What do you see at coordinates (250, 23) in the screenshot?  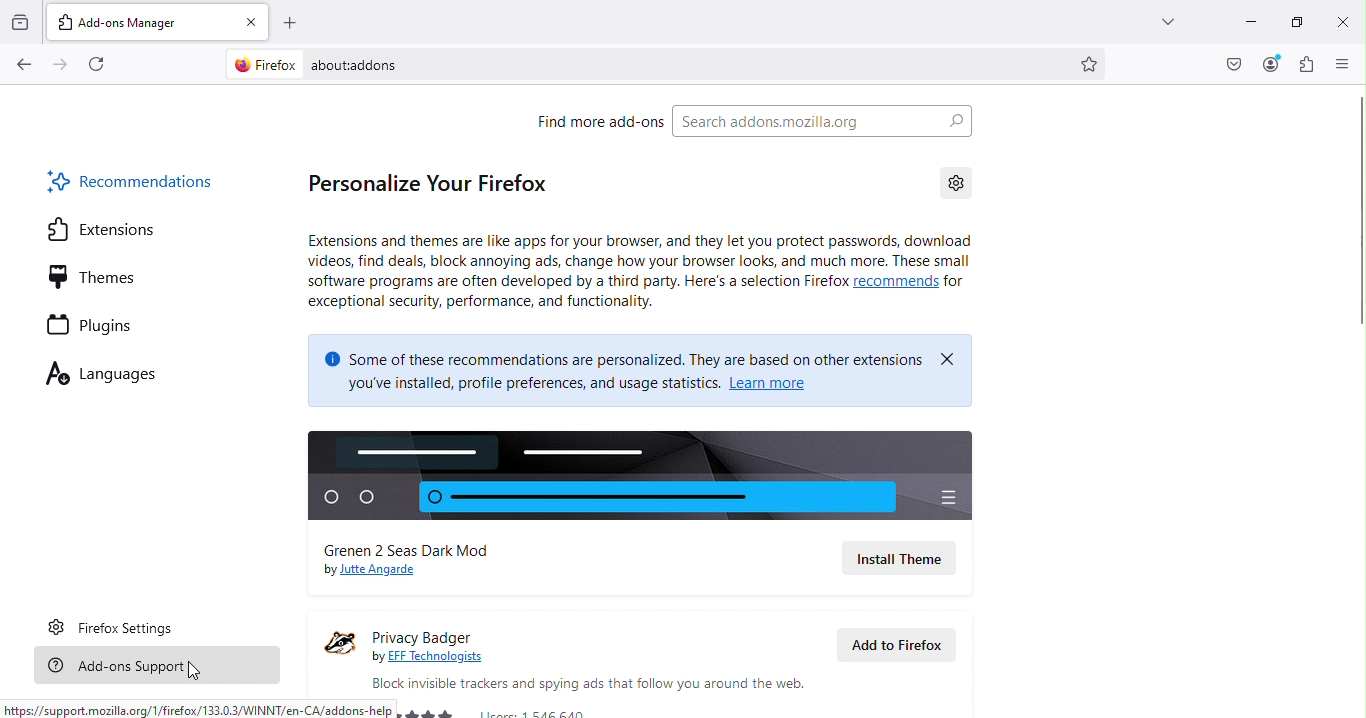 I see `Close tab` at bounding box center [250, 23].